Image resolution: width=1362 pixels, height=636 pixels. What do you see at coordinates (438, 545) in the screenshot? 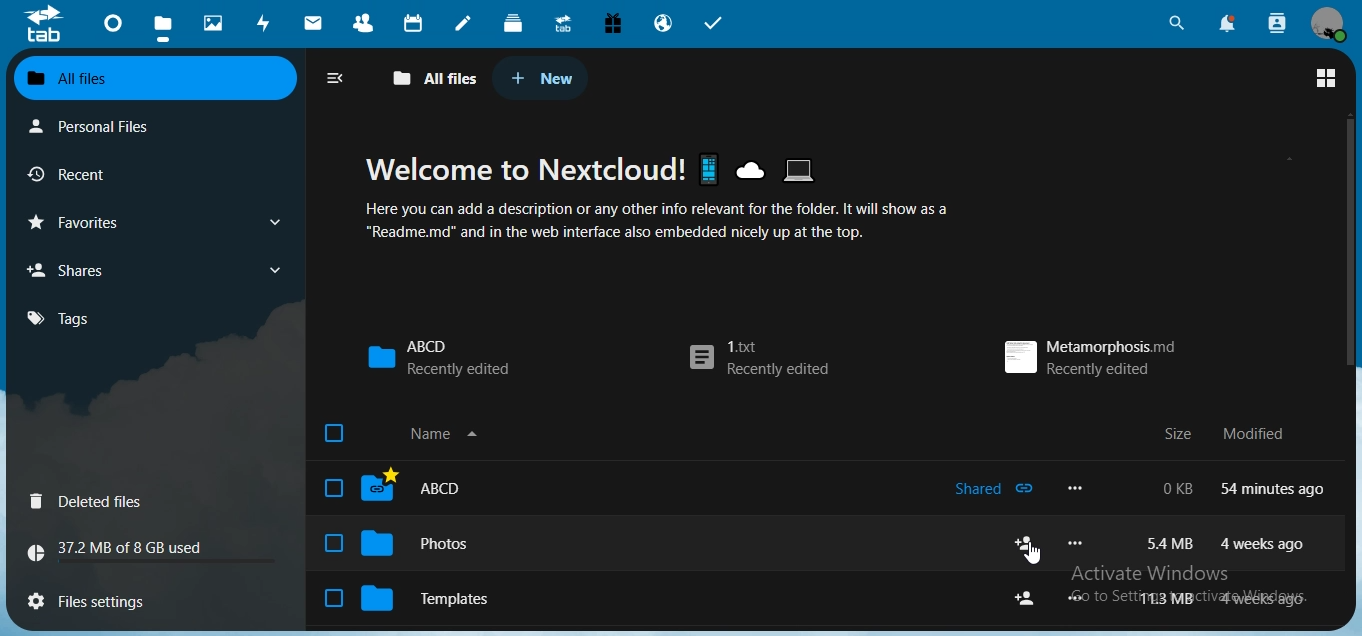
I see `Photos` at bounding box center [438, 545].